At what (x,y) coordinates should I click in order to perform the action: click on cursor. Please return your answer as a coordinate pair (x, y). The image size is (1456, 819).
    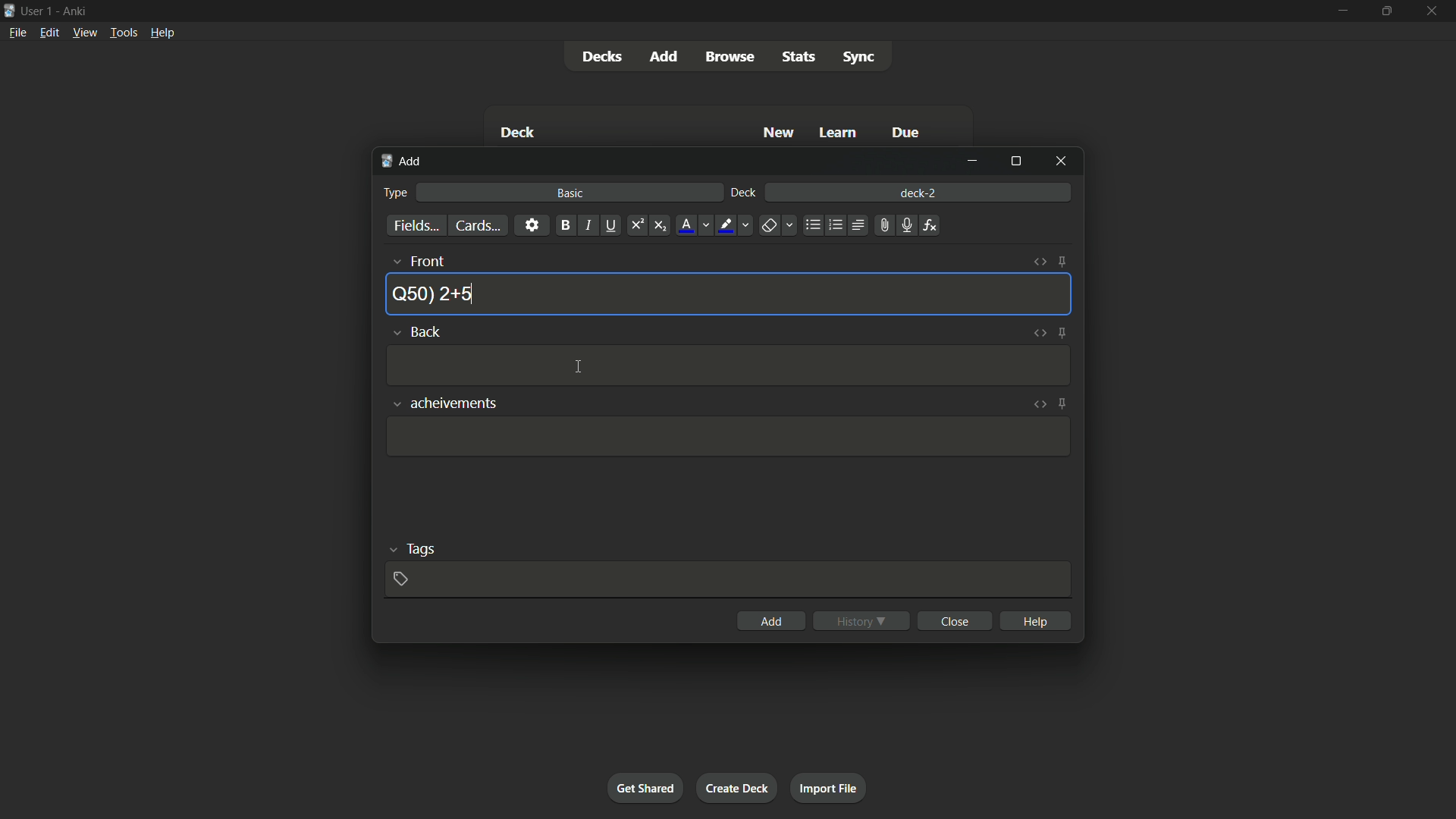
    Looking at the image, I should click on (580, 369).